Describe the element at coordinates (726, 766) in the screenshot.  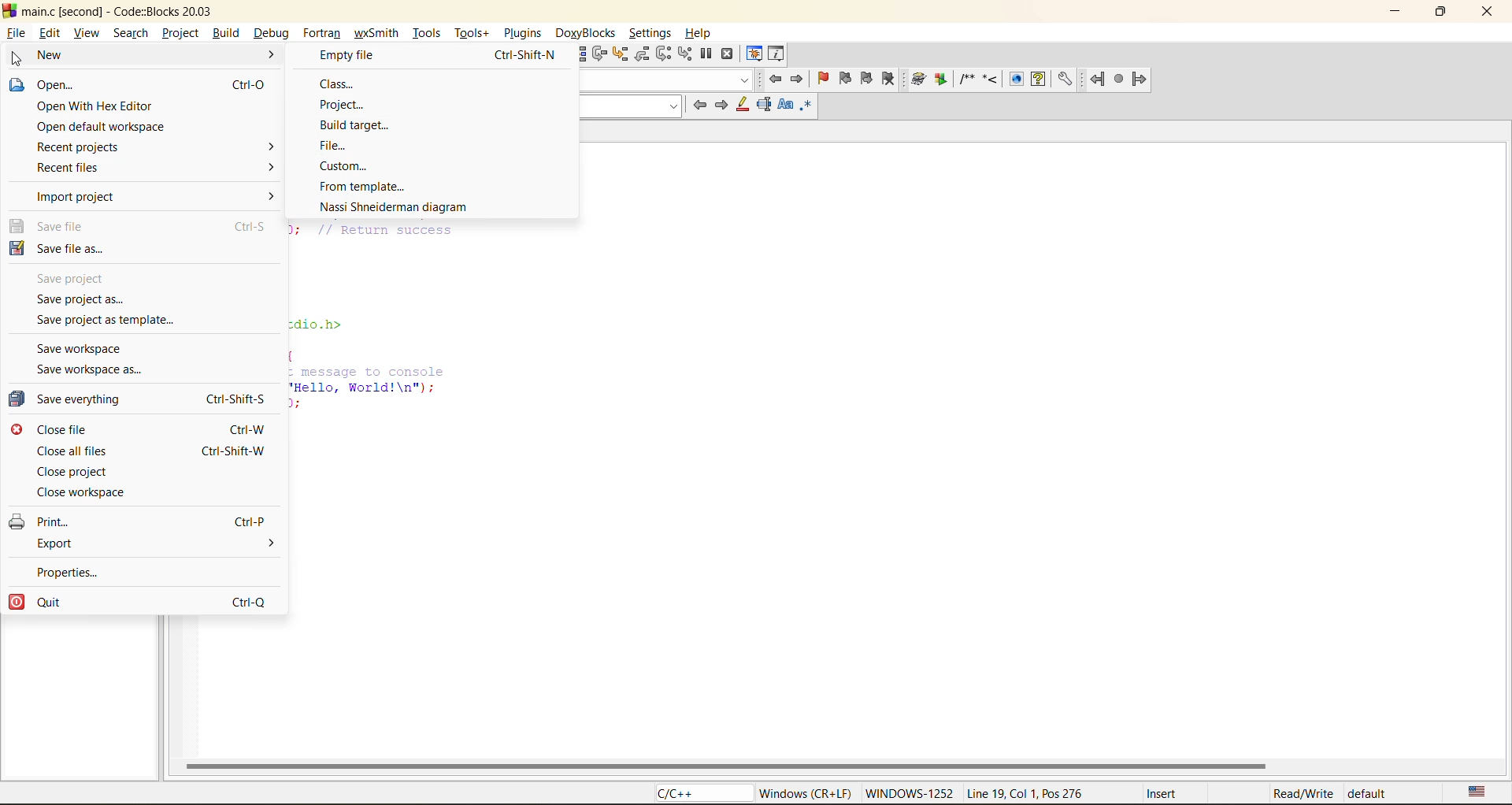
I see `horizontal scroll bar` at that location.